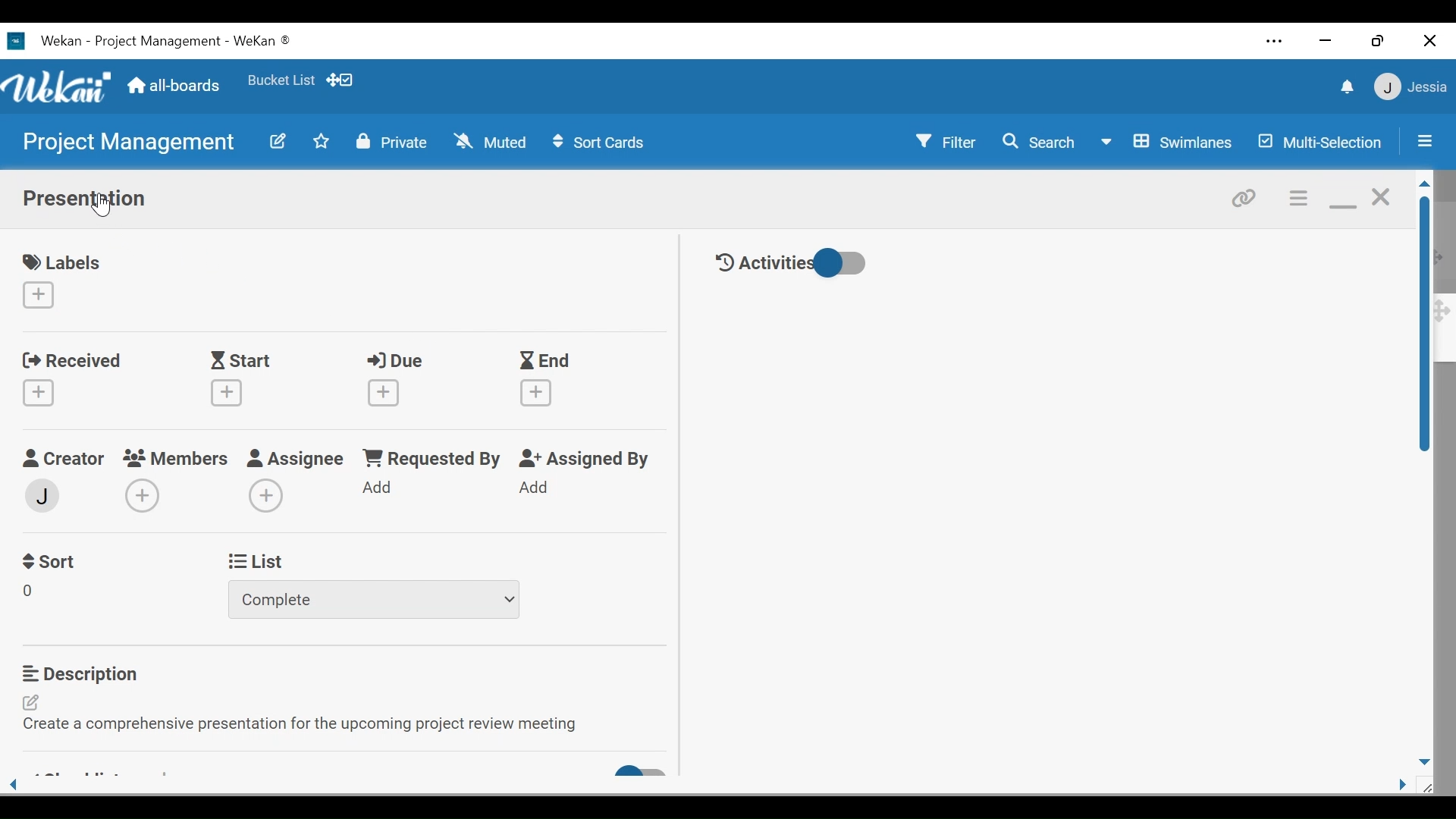 The width and height of the screenshot is (1456, 819). Describe the element at coordinates (1039, 142) in the screenshot. I see `Search` at that location.